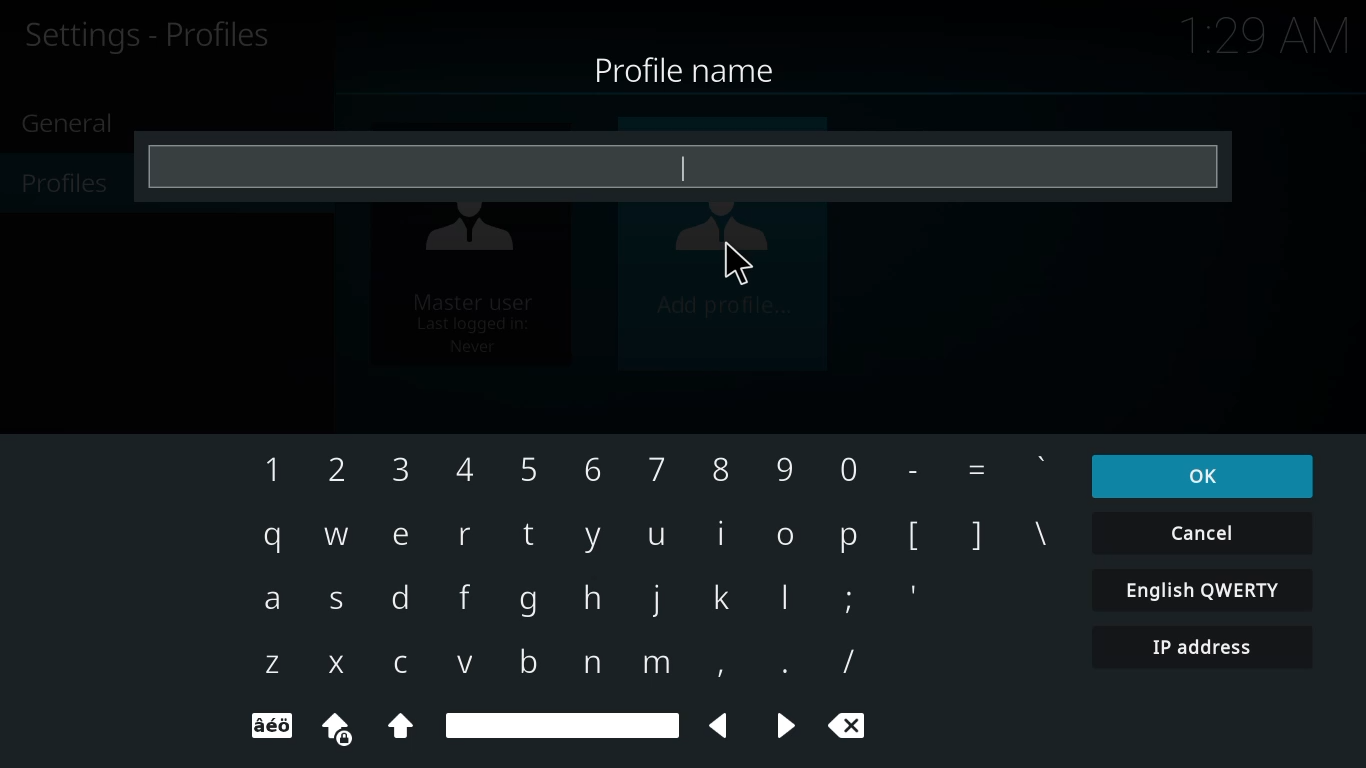 The width and height of the screenshot is (1366, 768). Describe the element at coordinates (462, 468) in the screenshot. I see `4` at that location.